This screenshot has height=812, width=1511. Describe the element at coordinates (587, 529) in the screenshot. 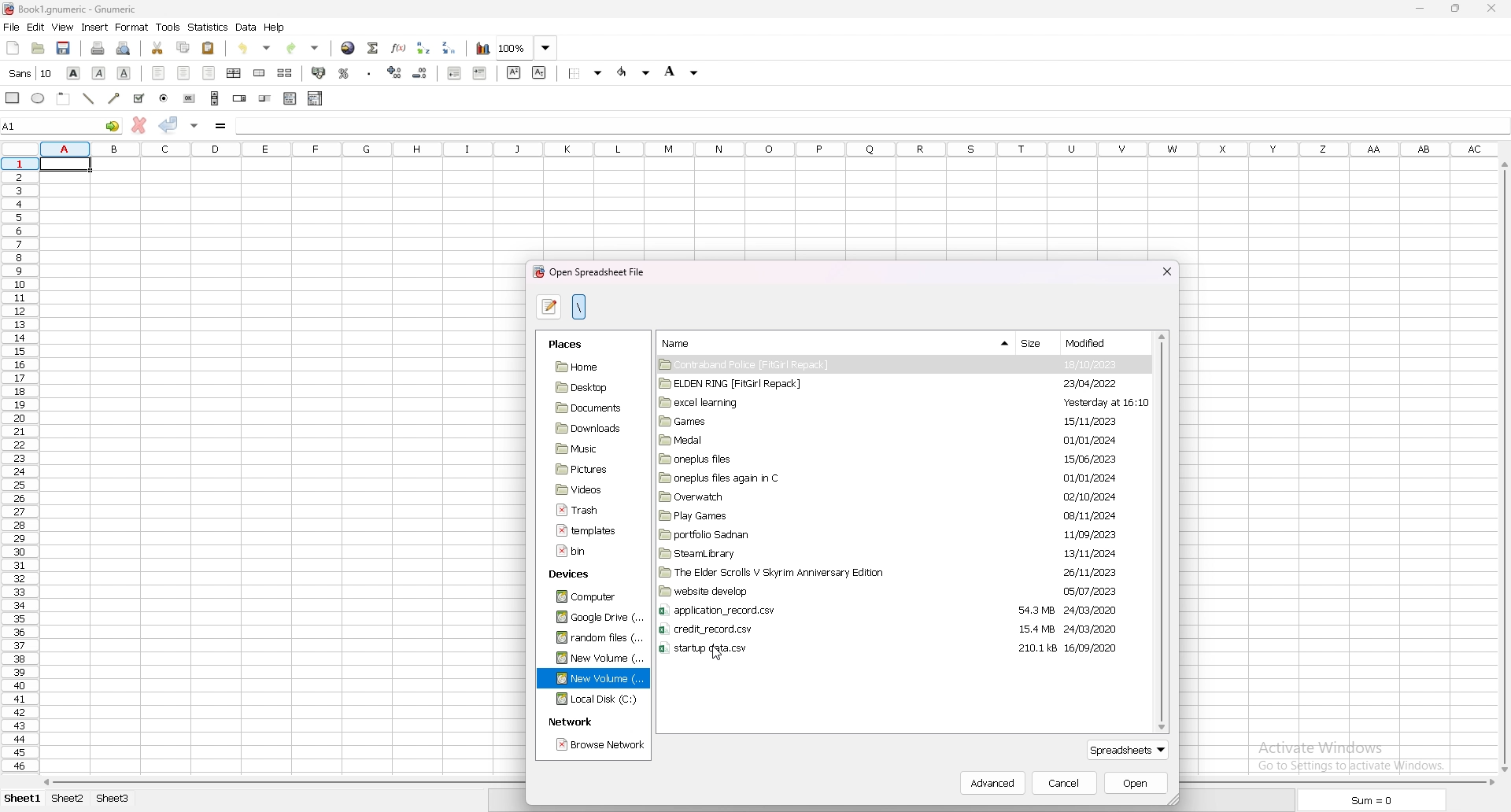

I see `file` at that location.